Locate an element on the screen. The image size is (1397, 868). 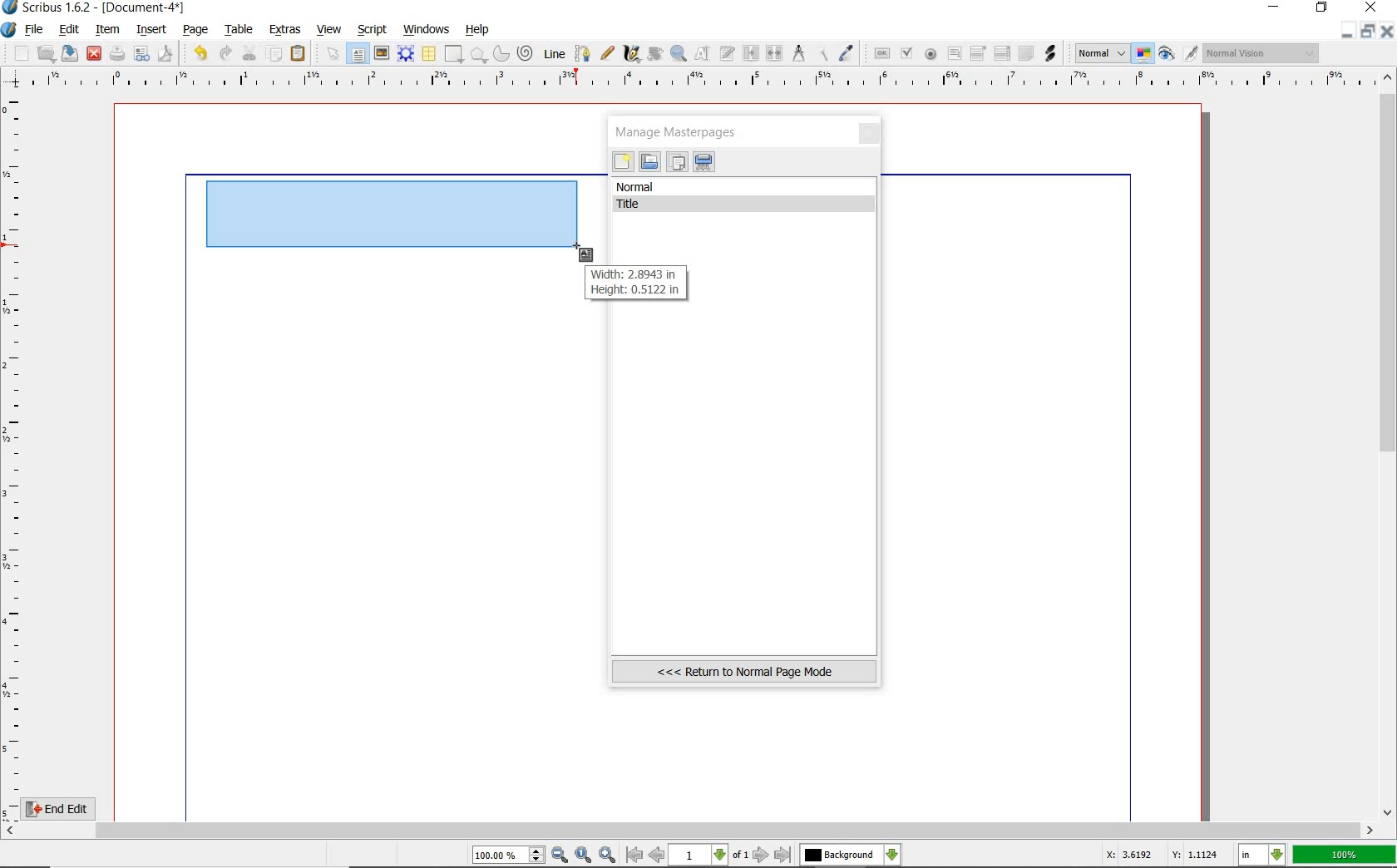
zoom in or zoom out is located at coordinates (679, 53).